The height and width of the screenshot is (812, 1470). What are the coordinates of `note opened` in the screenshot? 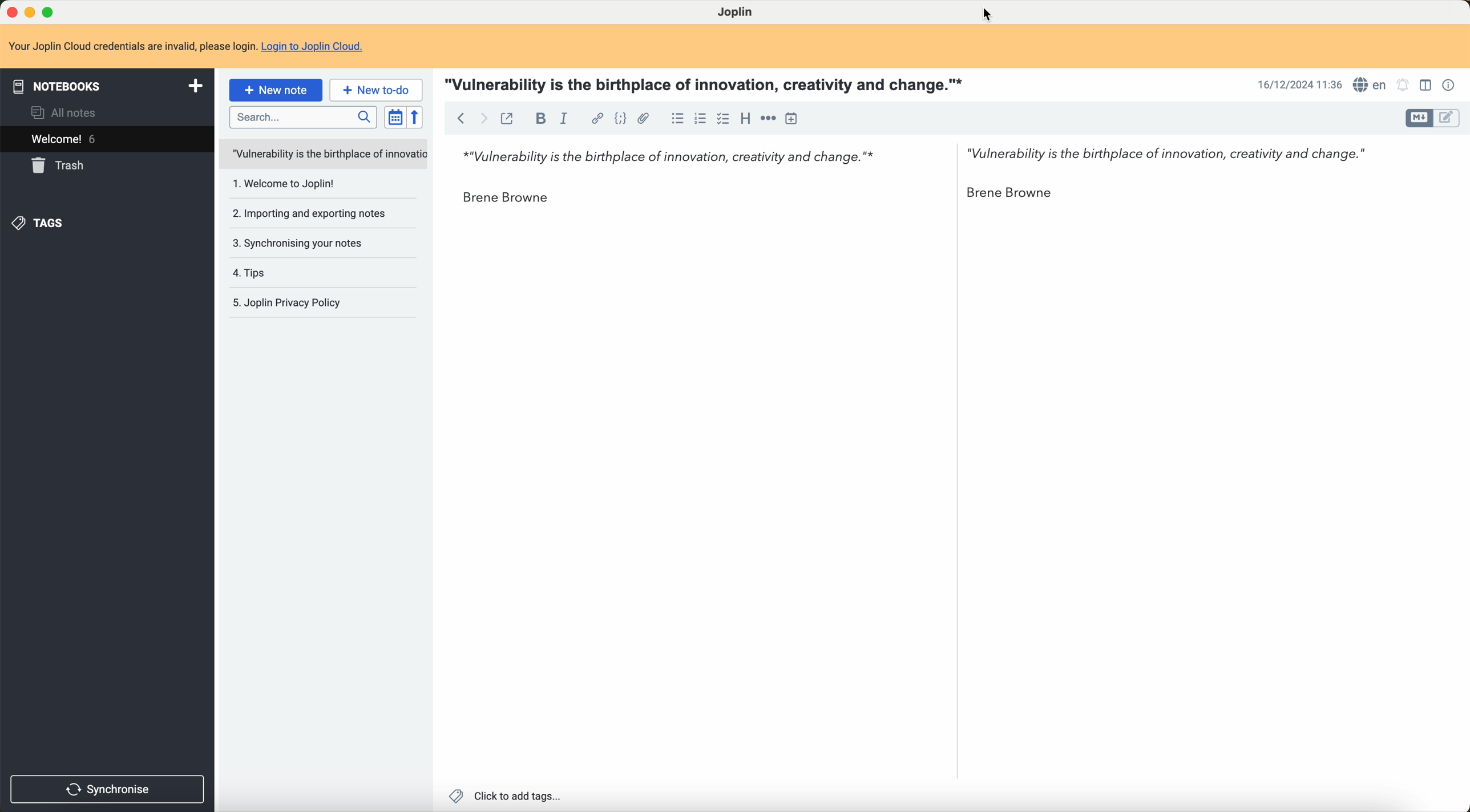 It's located at (321, 153).